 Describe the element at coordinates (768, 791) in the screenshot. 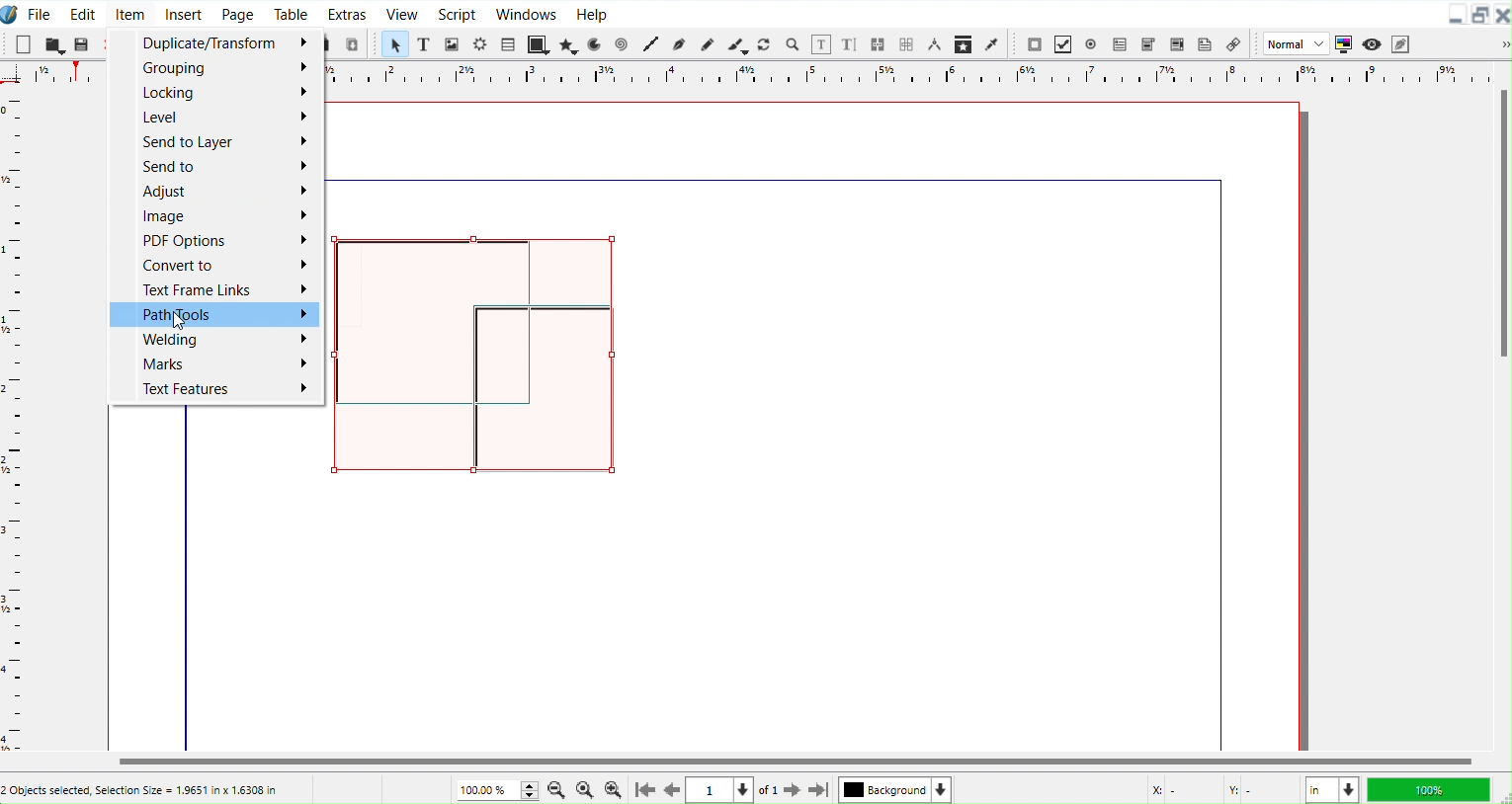

I see `of 1` at that location.